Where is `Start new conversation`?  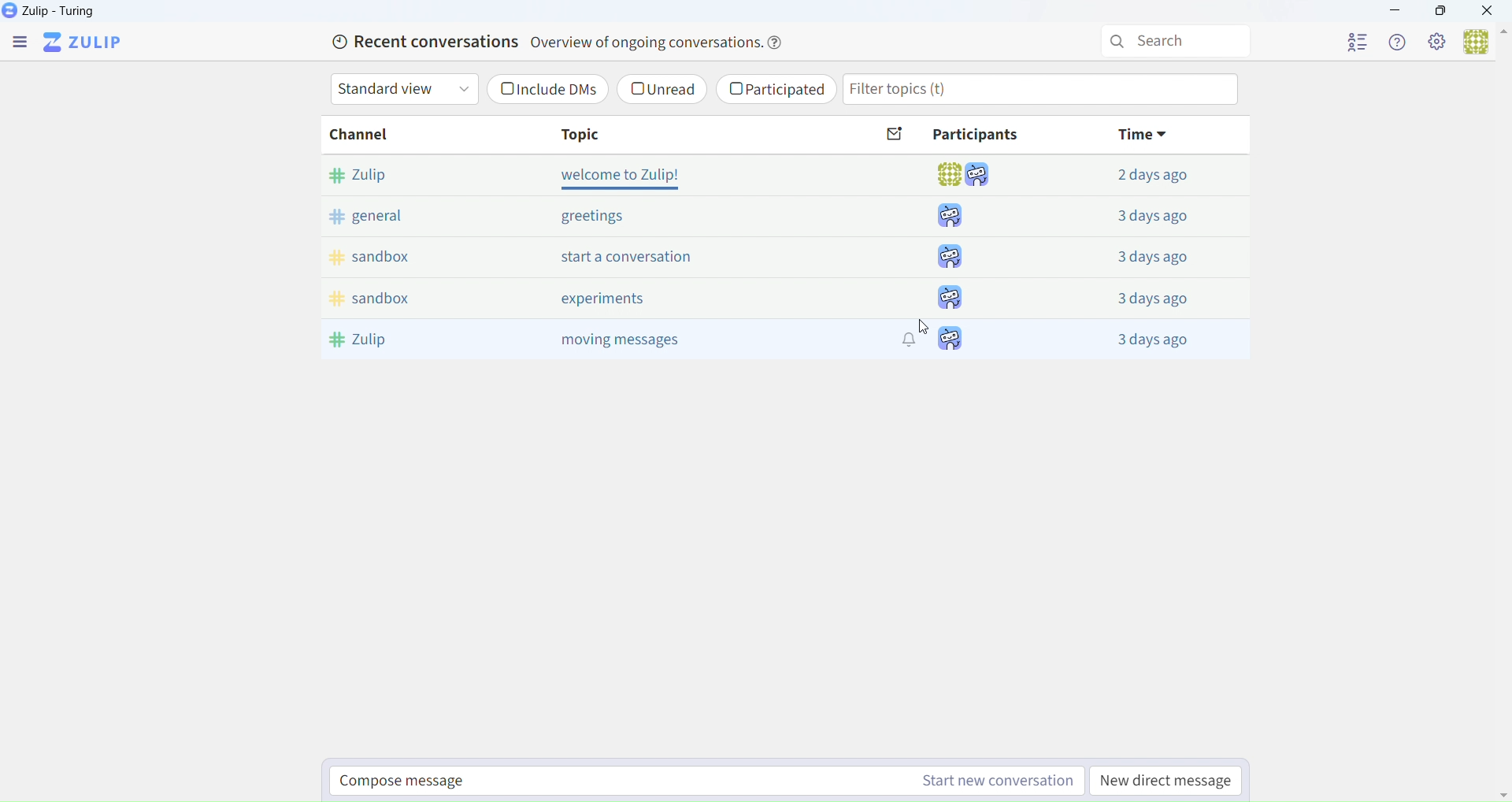
Start new conversation is located at coordinates (707, 782).